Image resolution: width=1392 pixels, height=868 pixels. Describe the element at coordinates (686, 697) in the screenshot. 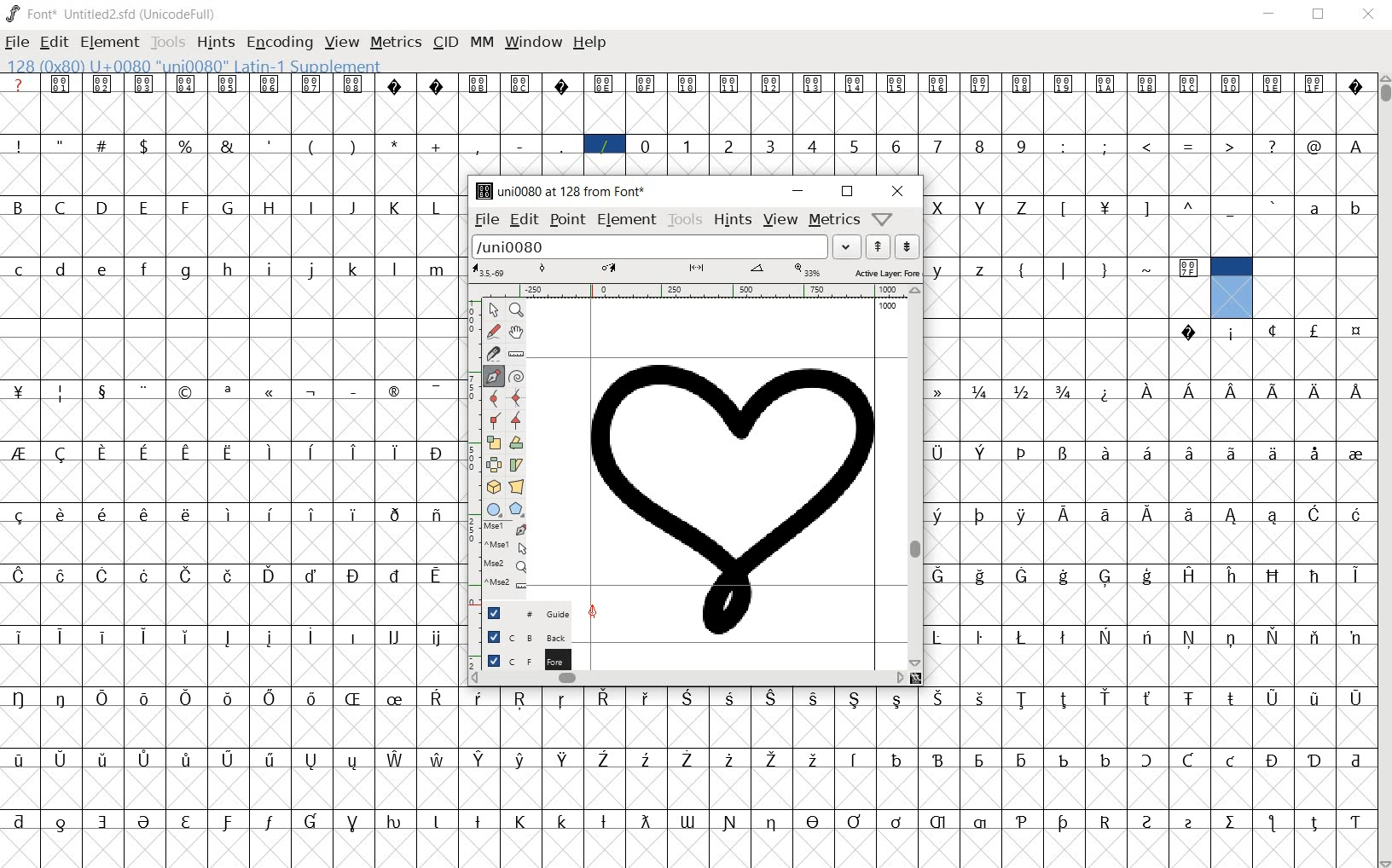

I see `glyph` at that location.